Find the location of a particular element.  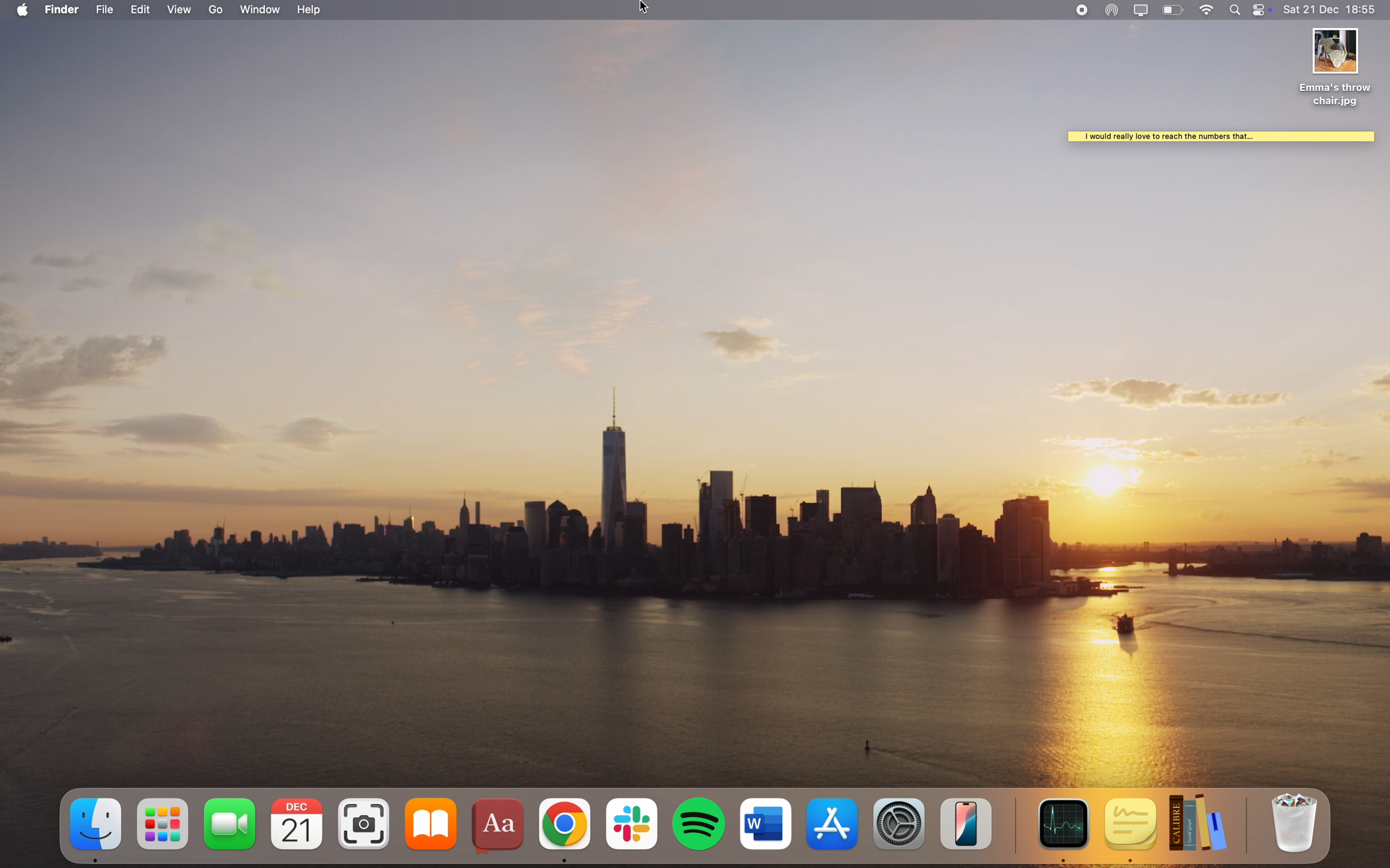

background is located at coordinates (1171, 72).